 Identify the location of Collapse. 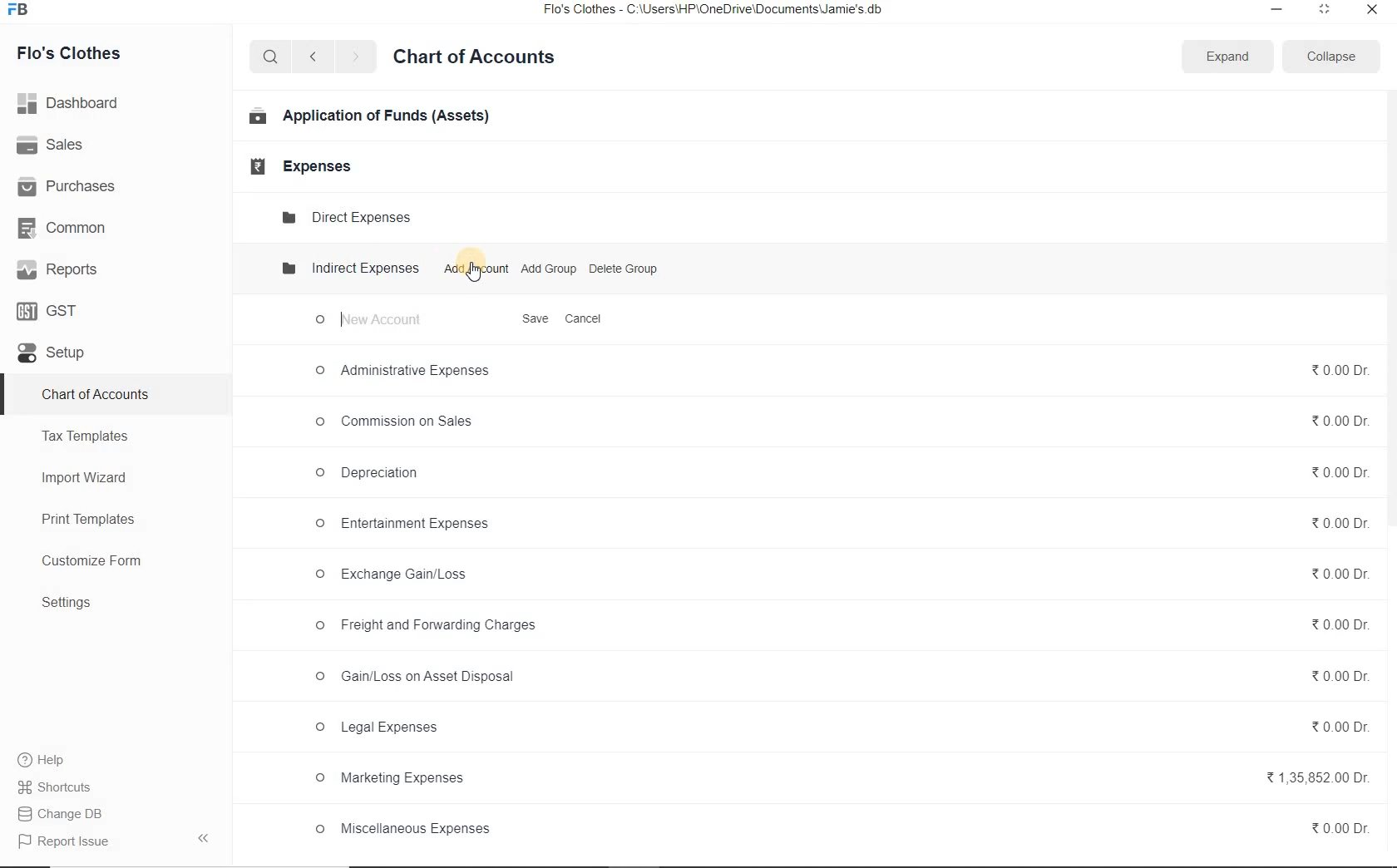
(1331, 56).